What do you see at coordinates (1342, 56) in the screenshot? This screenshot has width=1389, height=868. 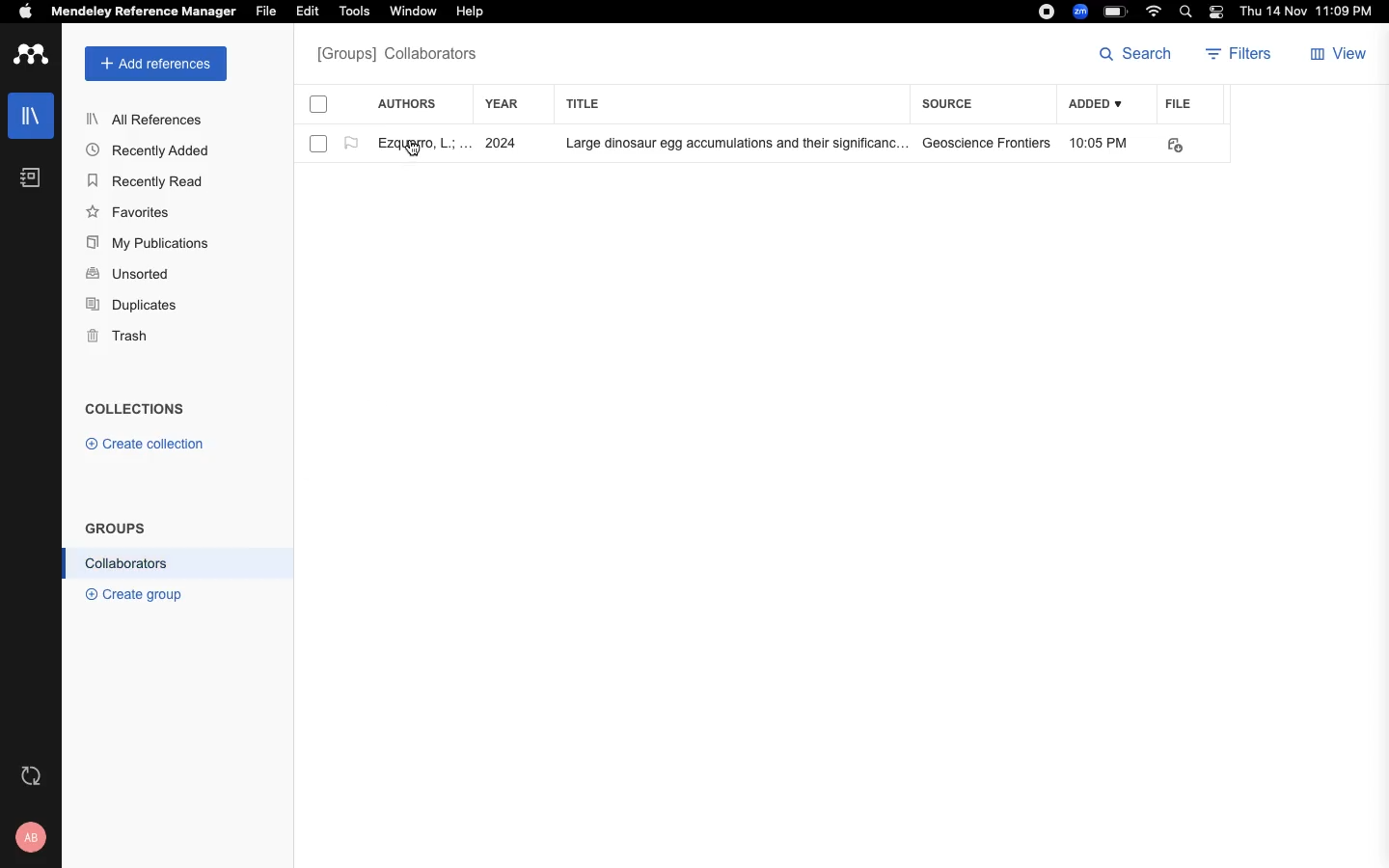 I see `view` at bounding box center [1342, 56].